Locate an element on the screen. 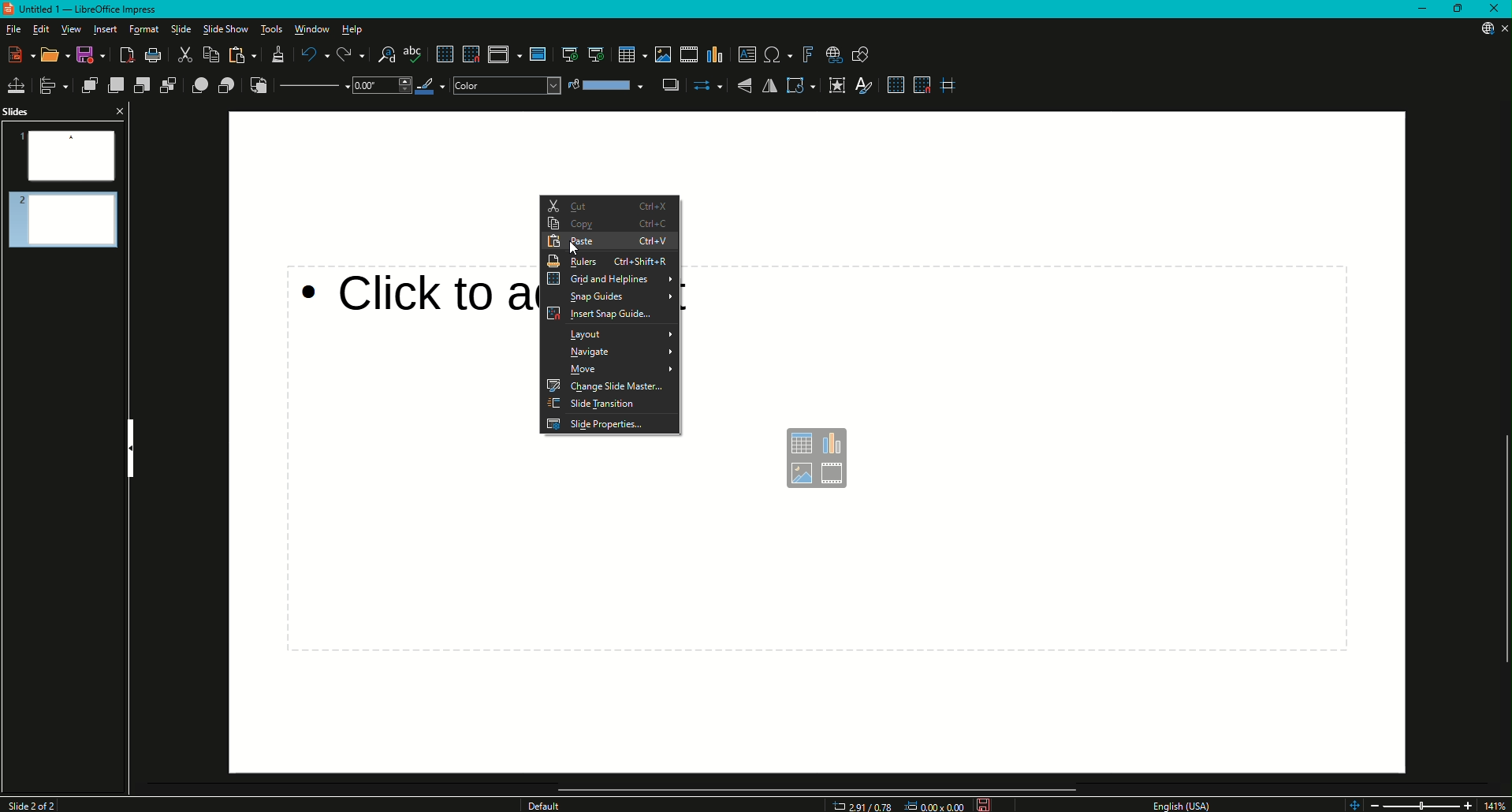 This screenshot has width=1512, height=812. Export Directly as PDF is located at coordinates (126, 55).